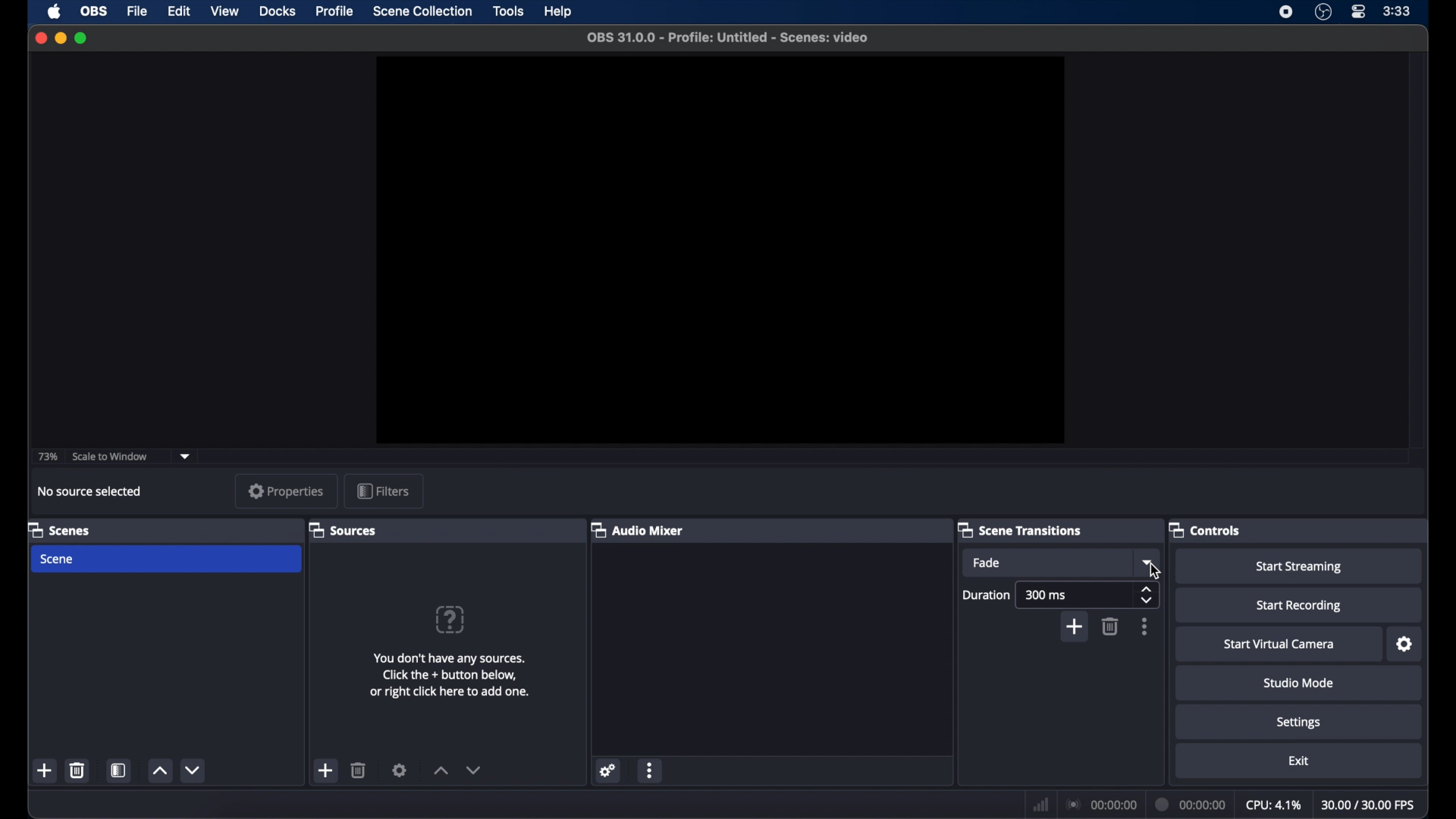 This screenshot has width=1456, height=819. I want to click on exit, so click(1301, 762).